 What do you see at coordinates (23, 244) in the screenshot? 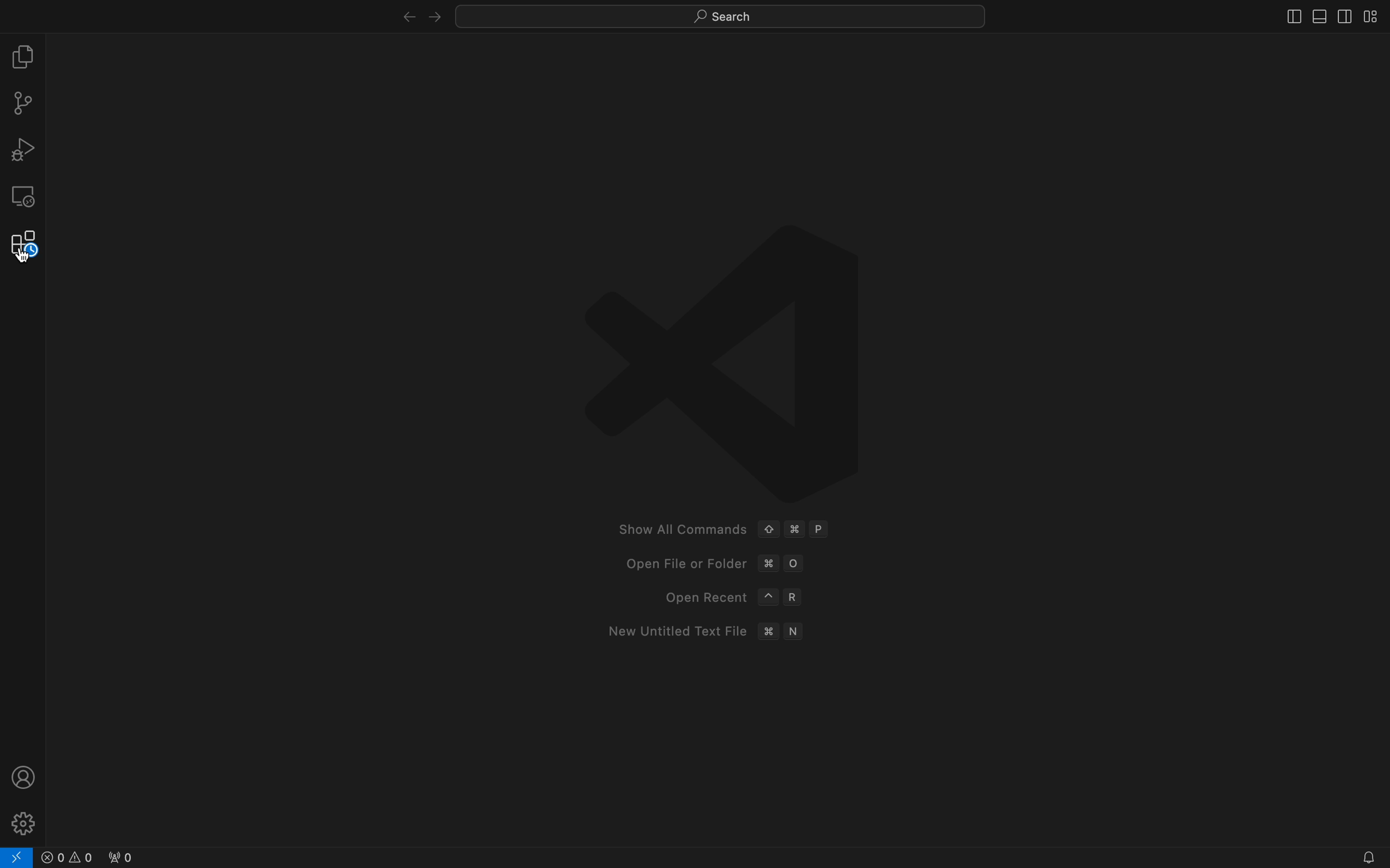
I see `extensions` at bounding box center [23, 244].